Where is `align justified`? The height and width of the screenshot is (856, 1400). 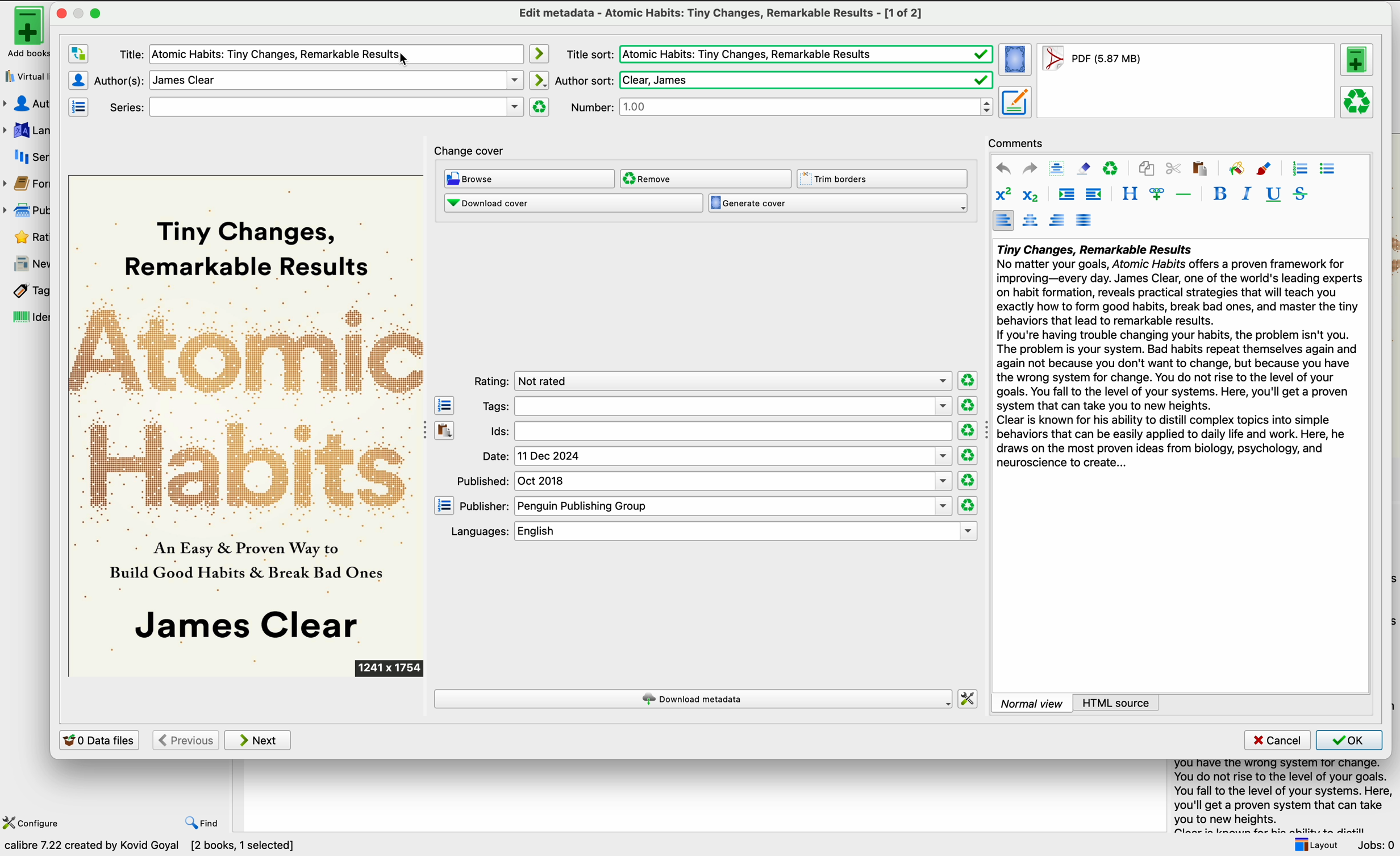
align justified is located at coordinates (1085, 220).